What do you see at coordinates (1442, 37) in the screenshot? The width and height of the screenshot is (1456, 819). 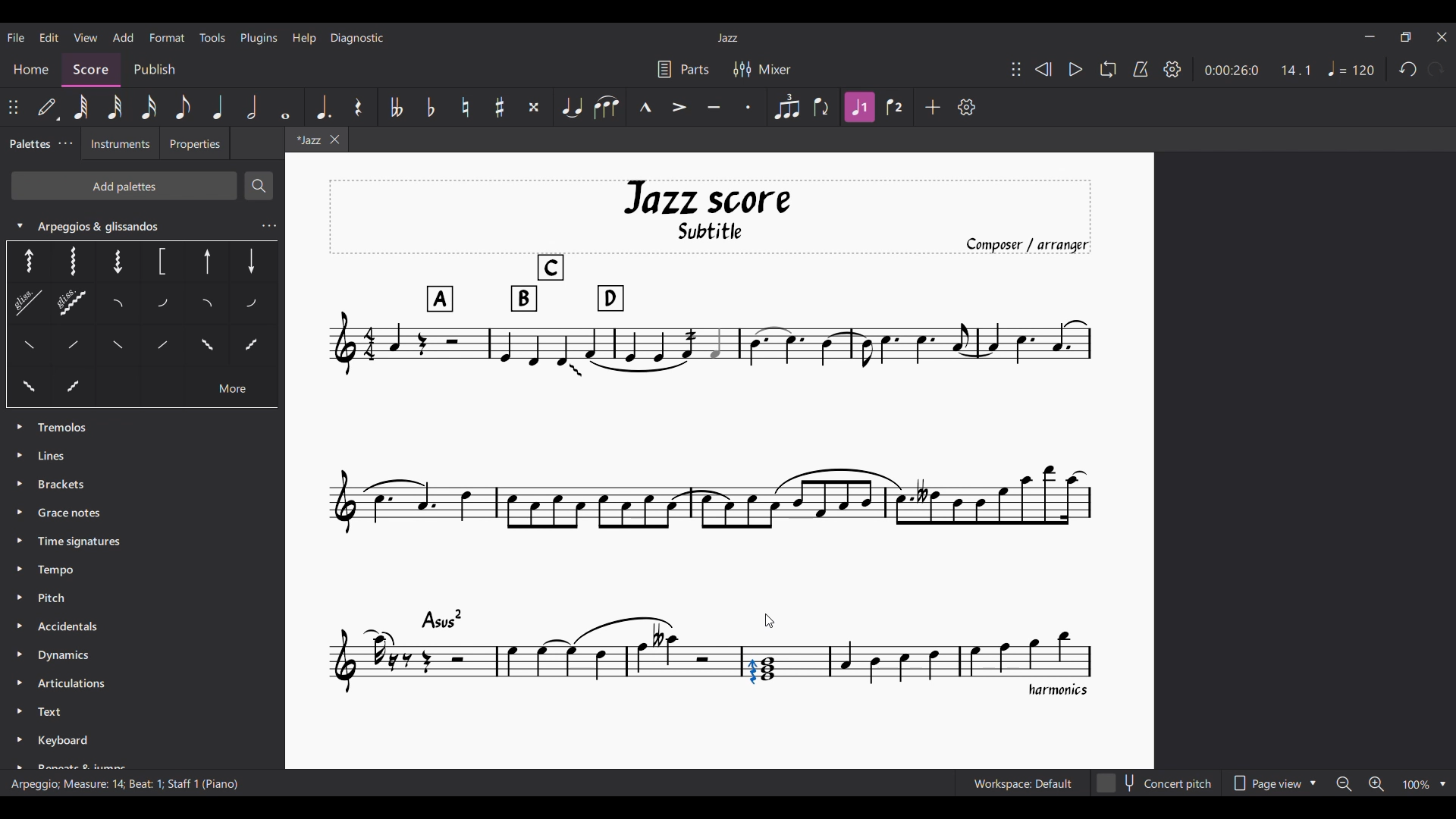 I see `Close interface ` at bounding box center [1442, 37].